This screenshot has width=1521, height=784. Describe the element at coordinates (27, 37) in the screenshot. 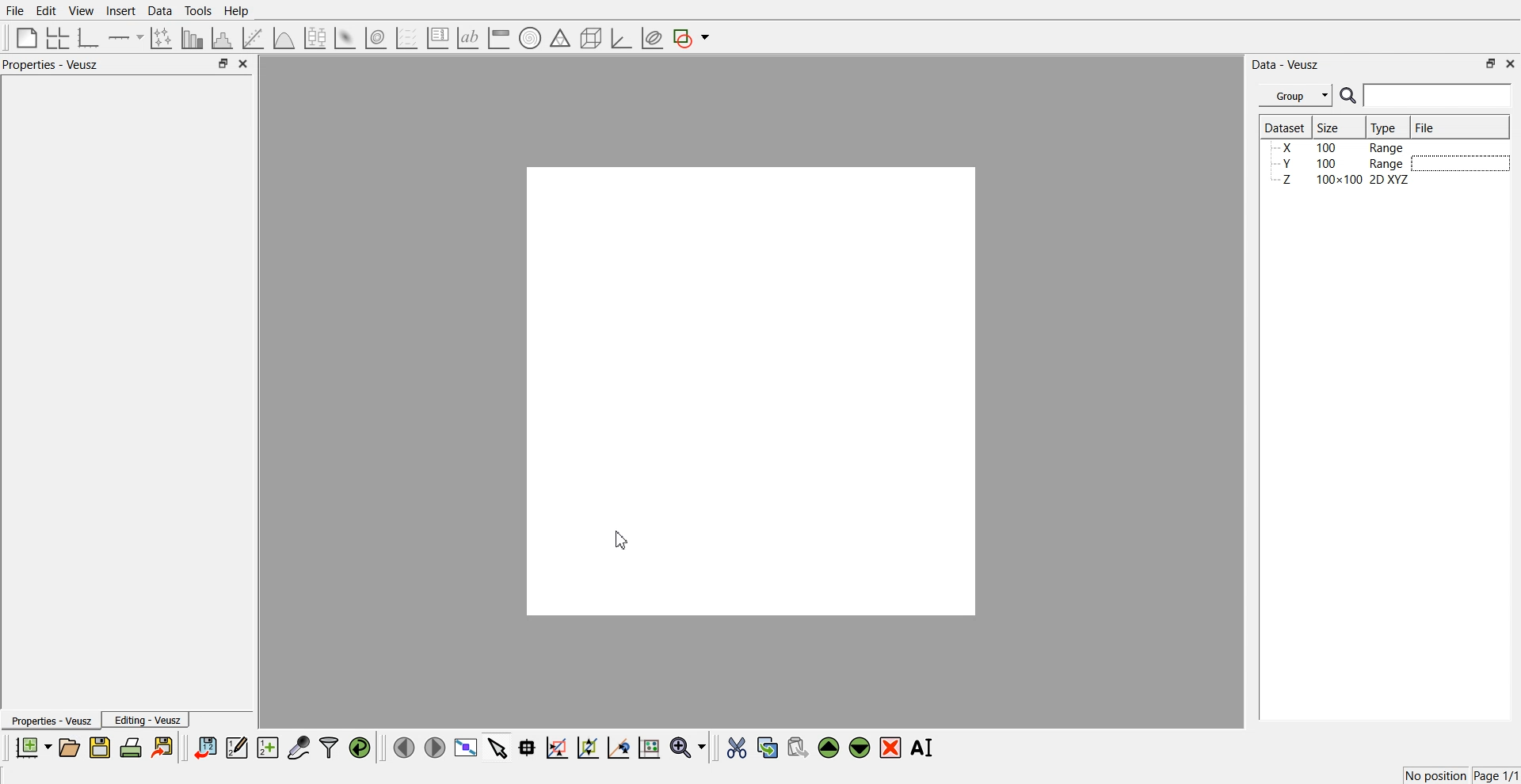

I see `Blank page` at that location.